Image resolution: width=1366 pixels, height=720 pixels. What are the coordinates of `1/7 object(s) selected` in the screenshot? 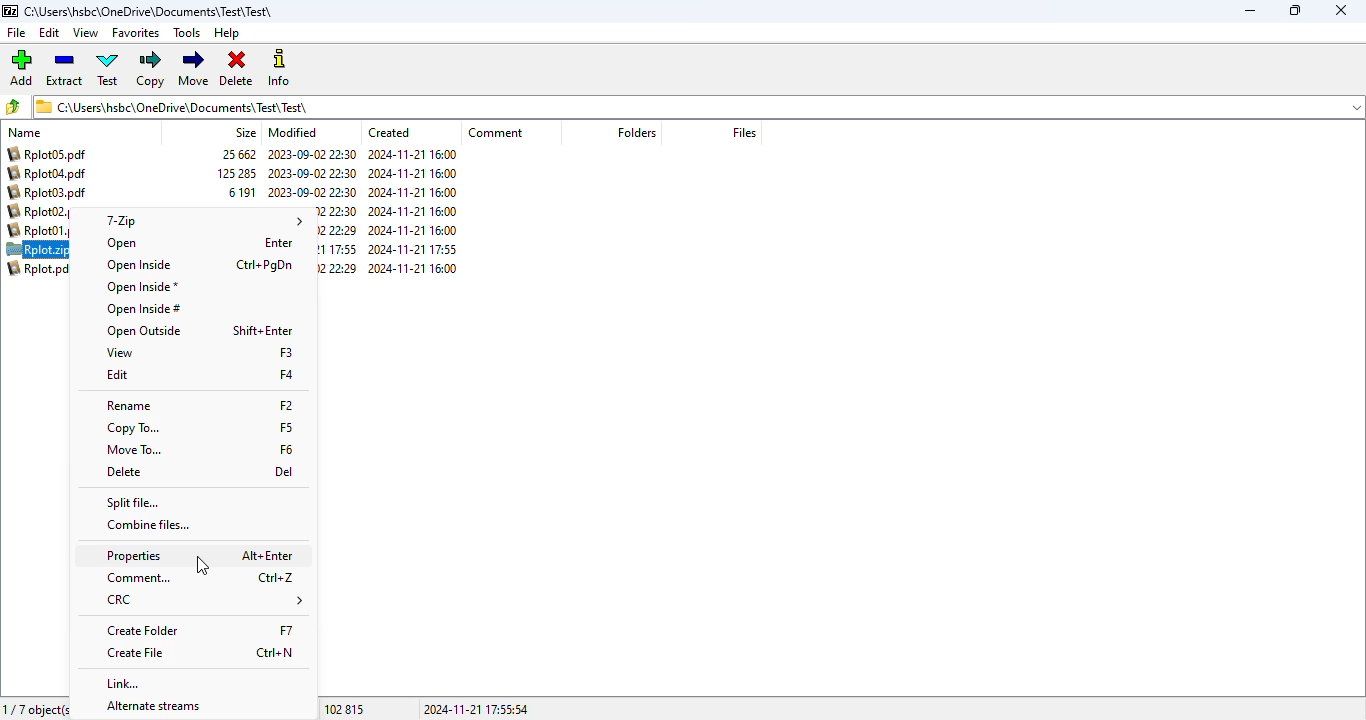 It's located at (34, 709).